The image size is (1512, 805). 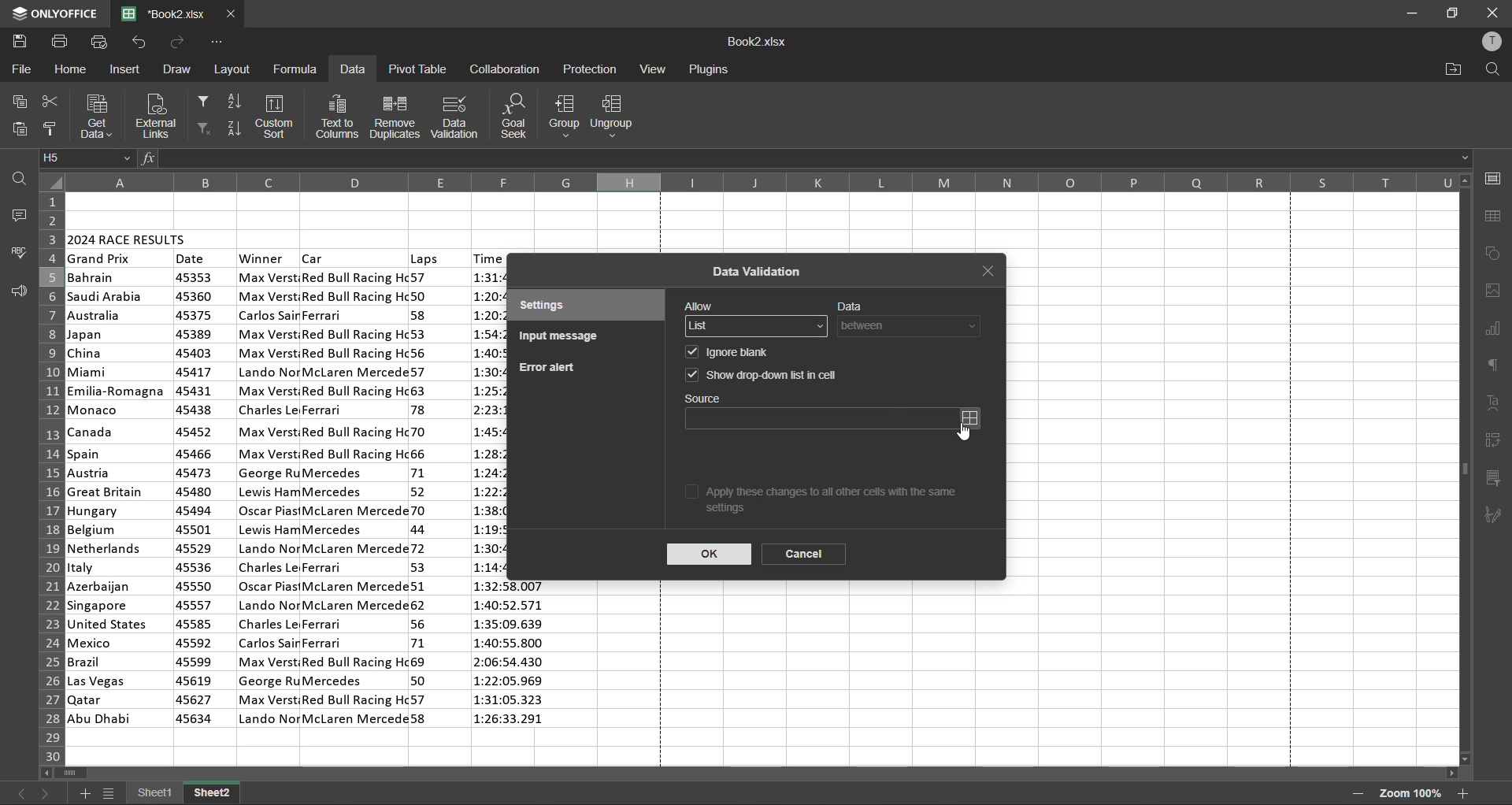 What do you see at coordinates (298, 68) in the screenshot?
I see `formula` at bounding box center [298, 68].